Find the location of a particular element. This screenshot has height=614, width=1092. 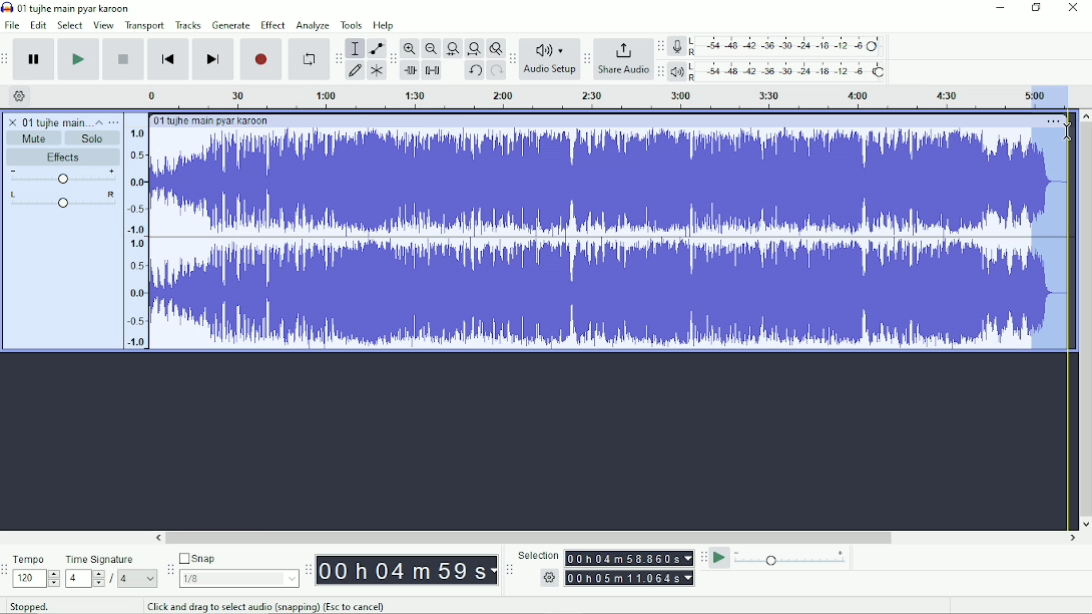

File is located at coordinates (13, 26).